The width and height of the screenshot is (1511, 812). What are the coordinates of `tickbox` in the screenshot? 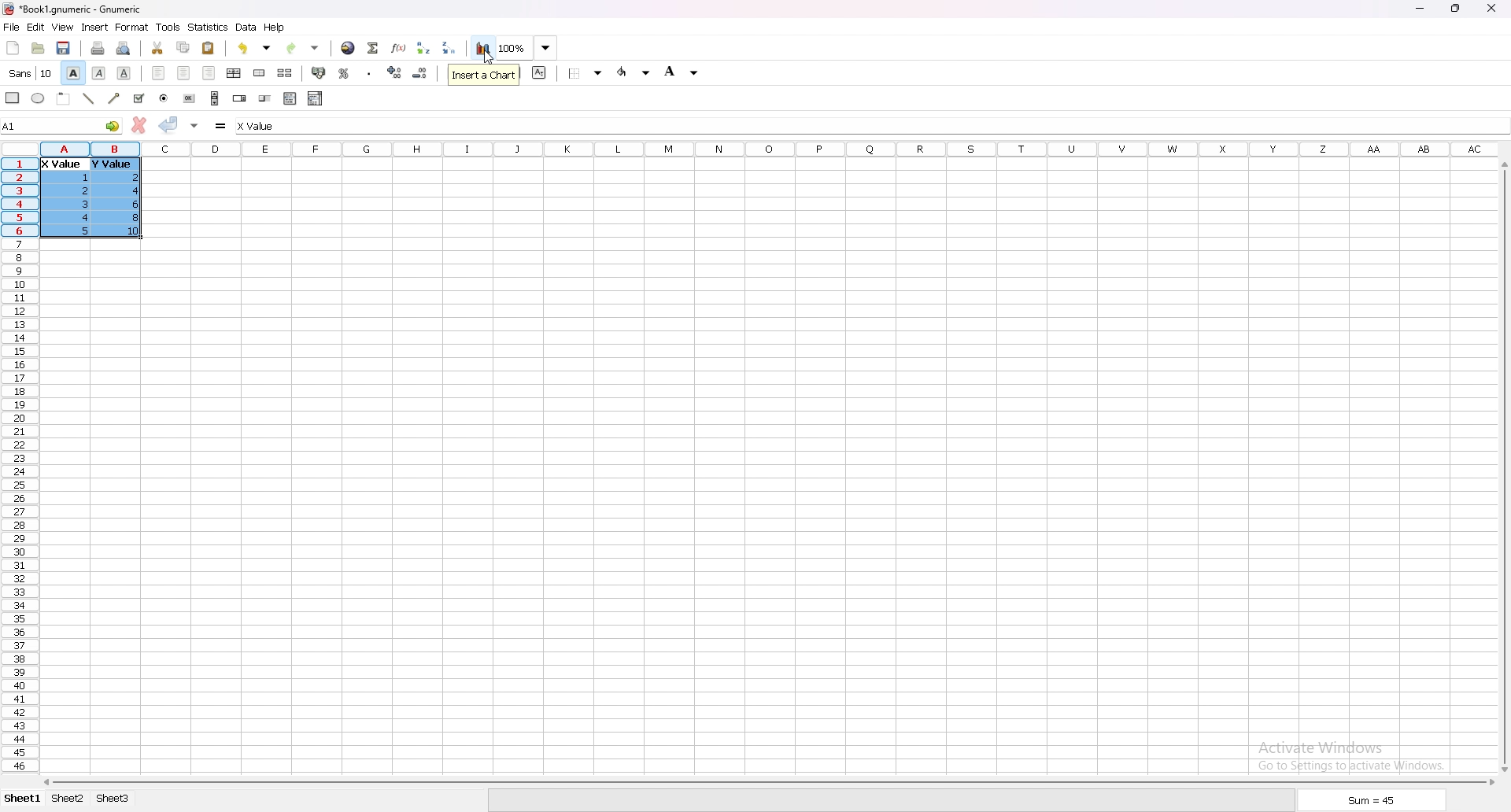 It's located at (138, 98).